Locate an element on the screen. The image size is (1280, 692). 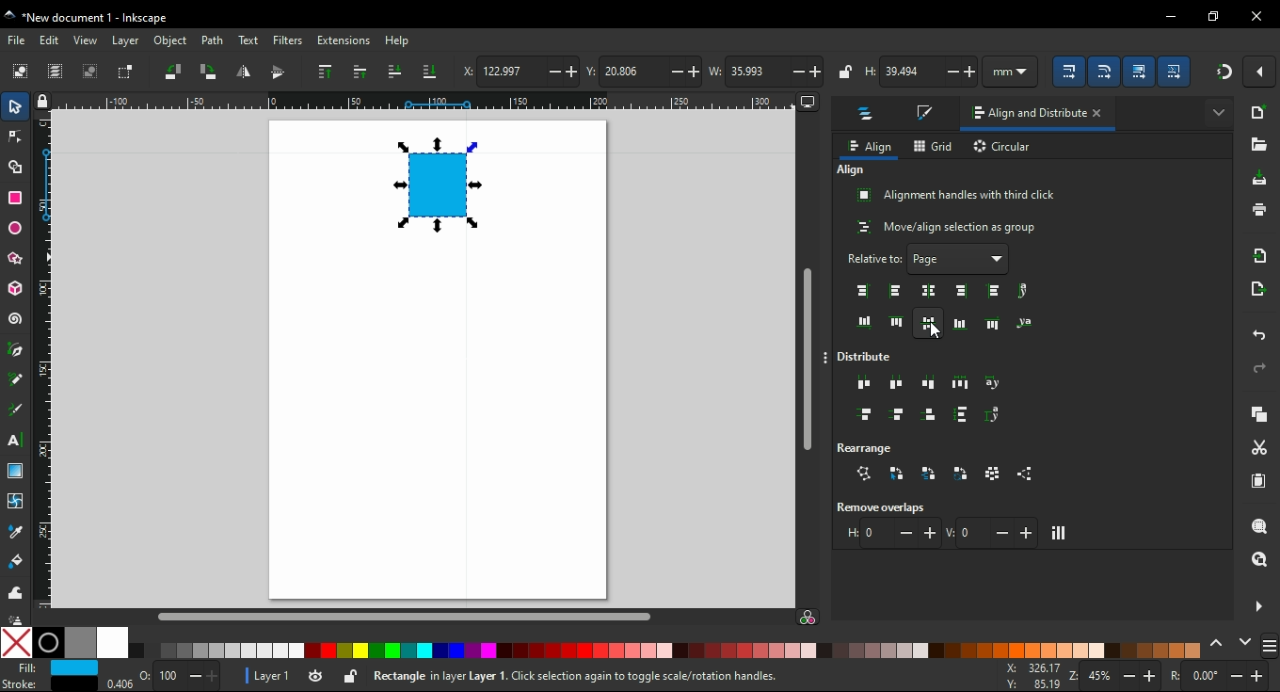
layer visibility is located at coordinates (314, 674).